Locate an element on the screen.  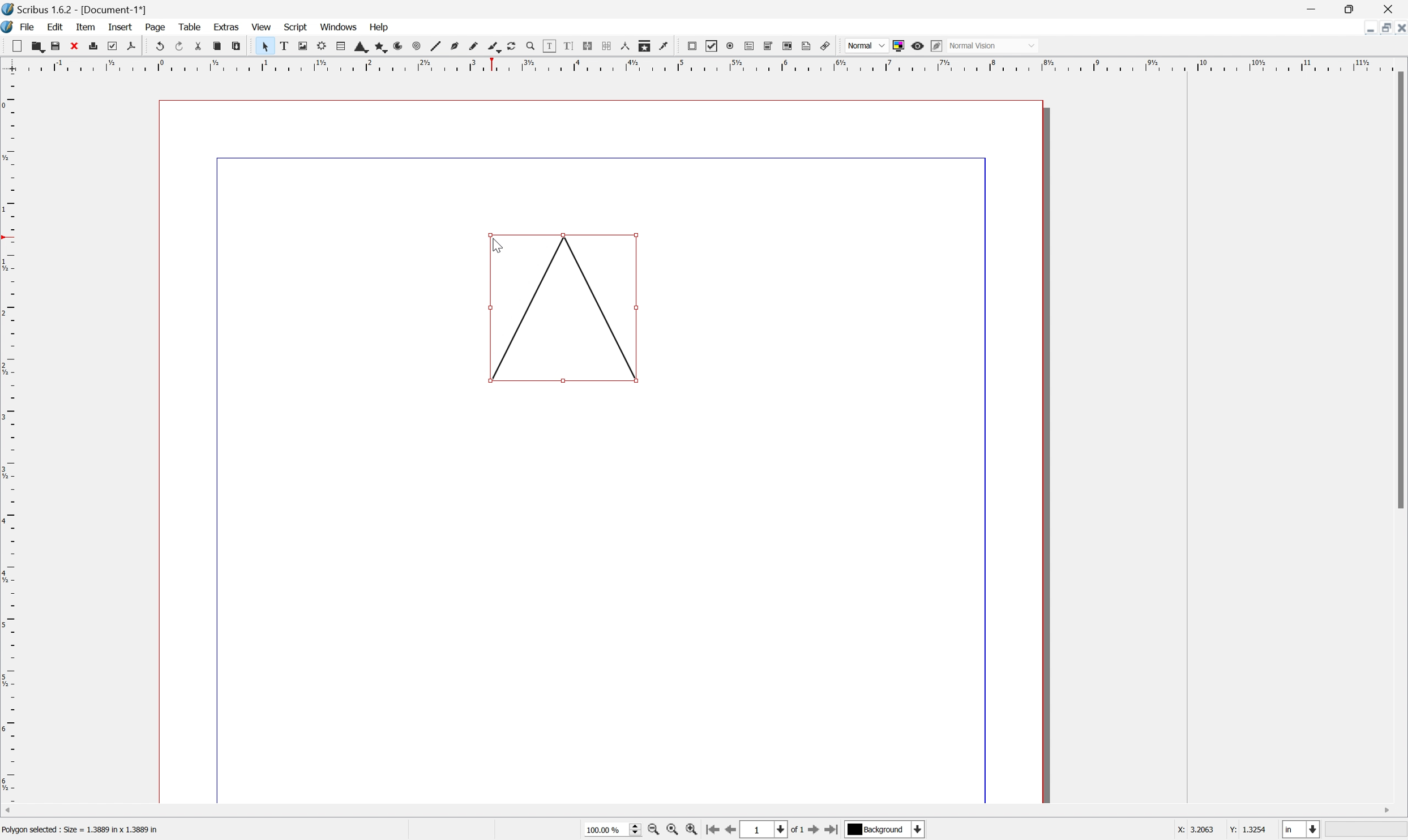
Edit in preview mode is located at coordinates (936, 46).